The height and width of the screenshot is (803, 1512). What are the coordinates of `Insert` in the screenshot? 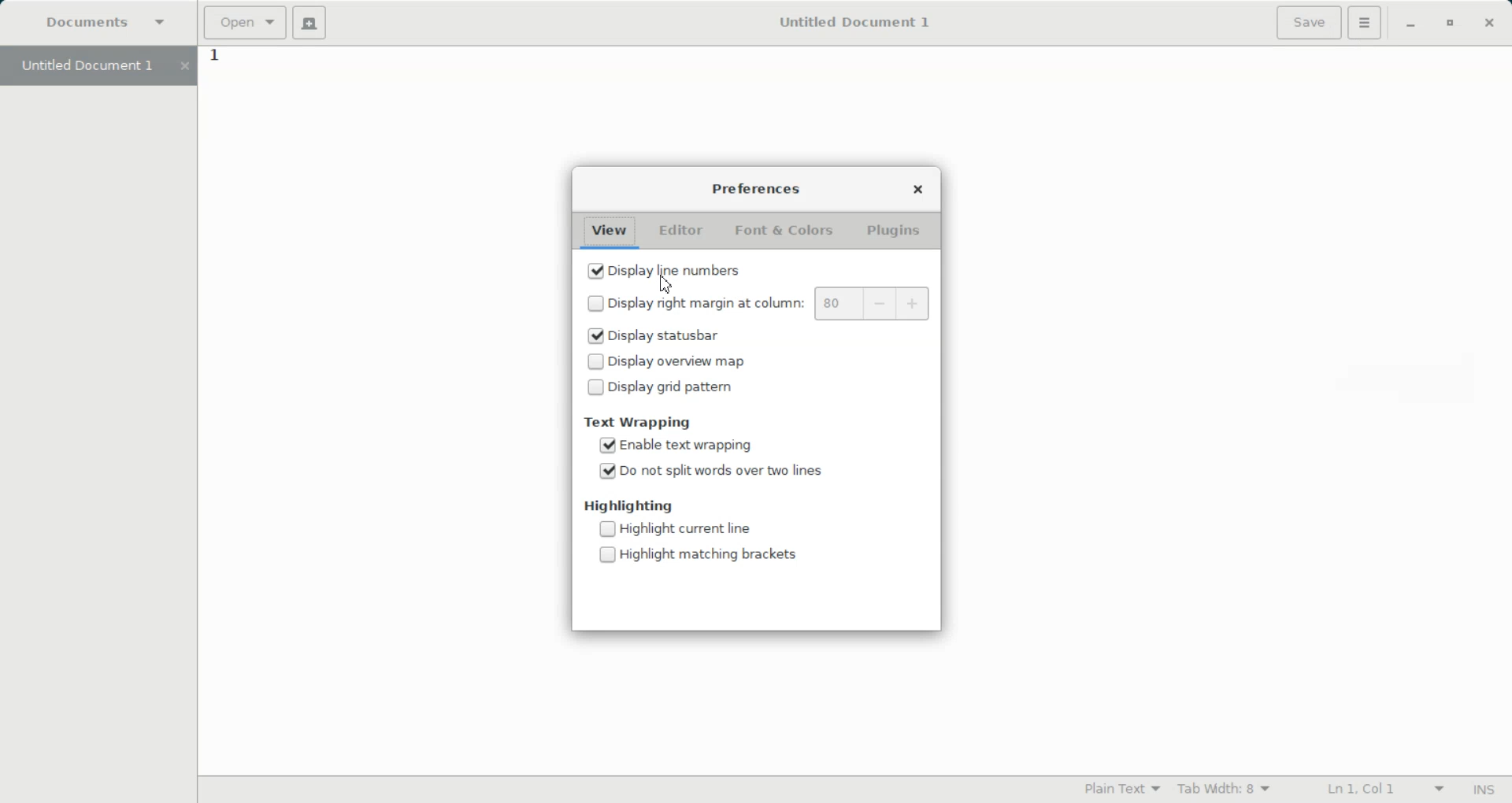 It's located at (1483, 791).